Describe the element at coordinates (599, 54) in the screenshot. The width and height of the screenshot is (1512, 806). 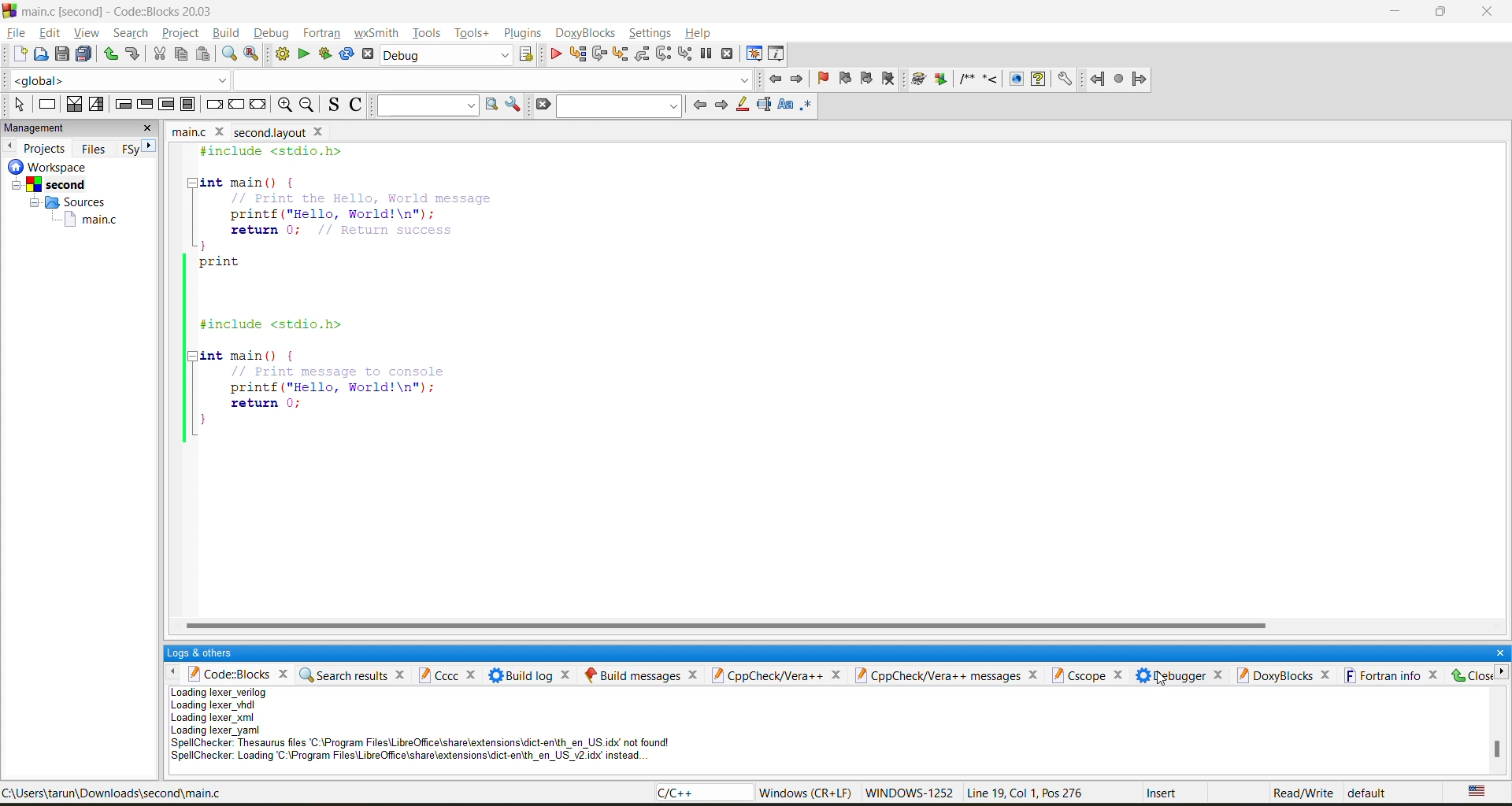
I see `next line` at that location.